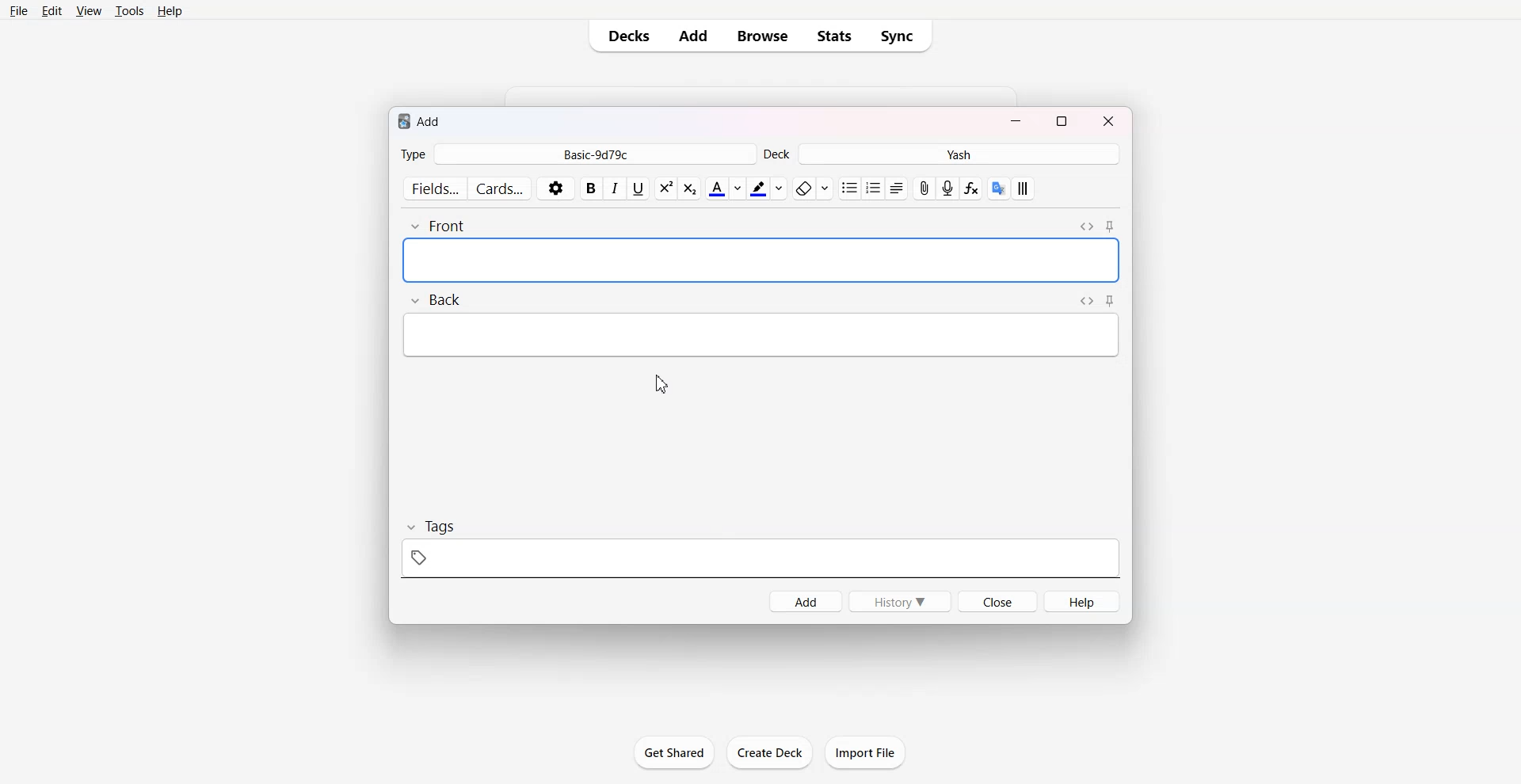 The width and height of the screenshot is (1521, 784). Describe the element at coordinates (769, 752) in the screenshot. I see `Create Deck` at that location.